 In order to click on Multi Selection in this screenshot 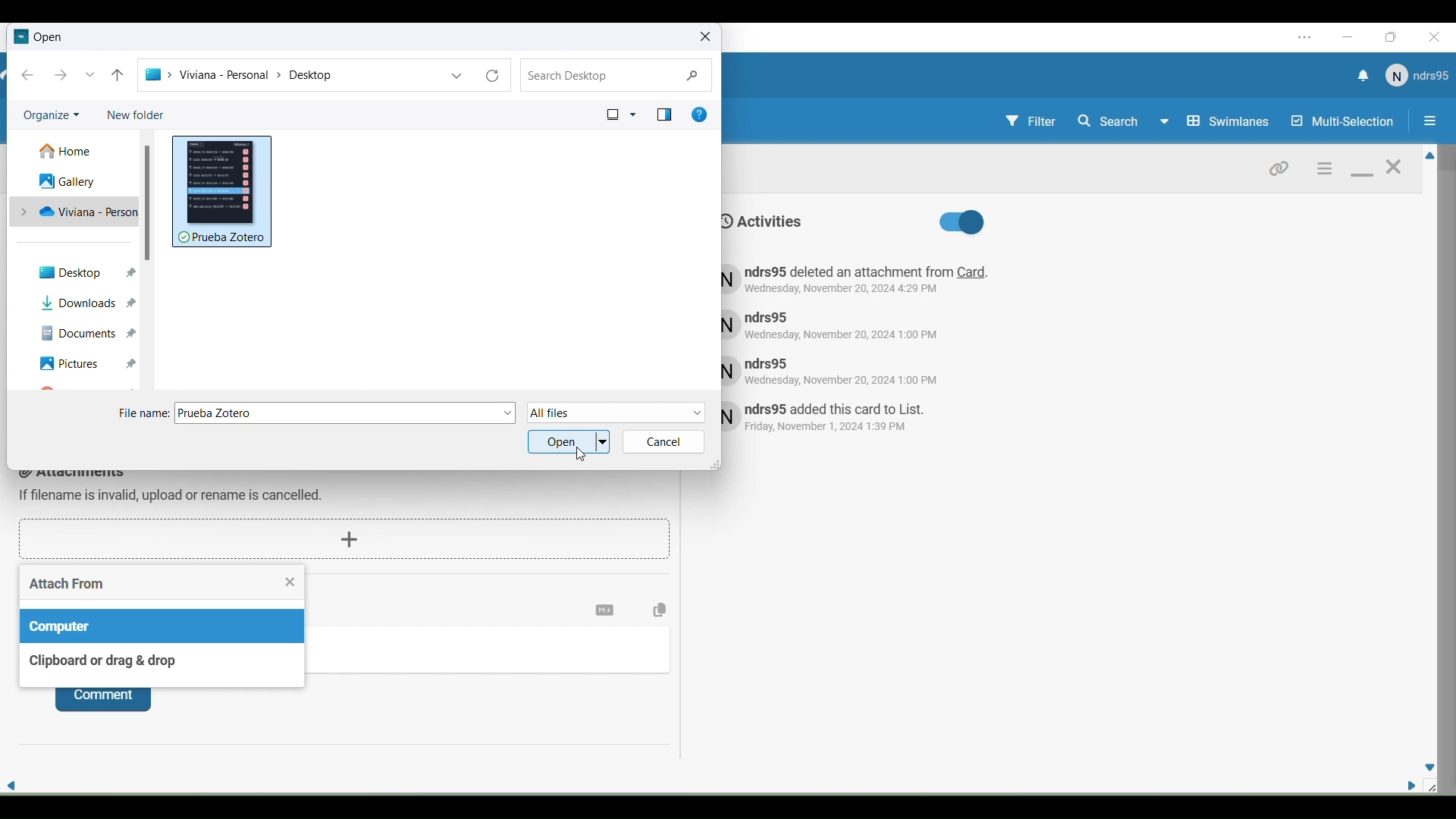, I will do `click(1341, 122)`.